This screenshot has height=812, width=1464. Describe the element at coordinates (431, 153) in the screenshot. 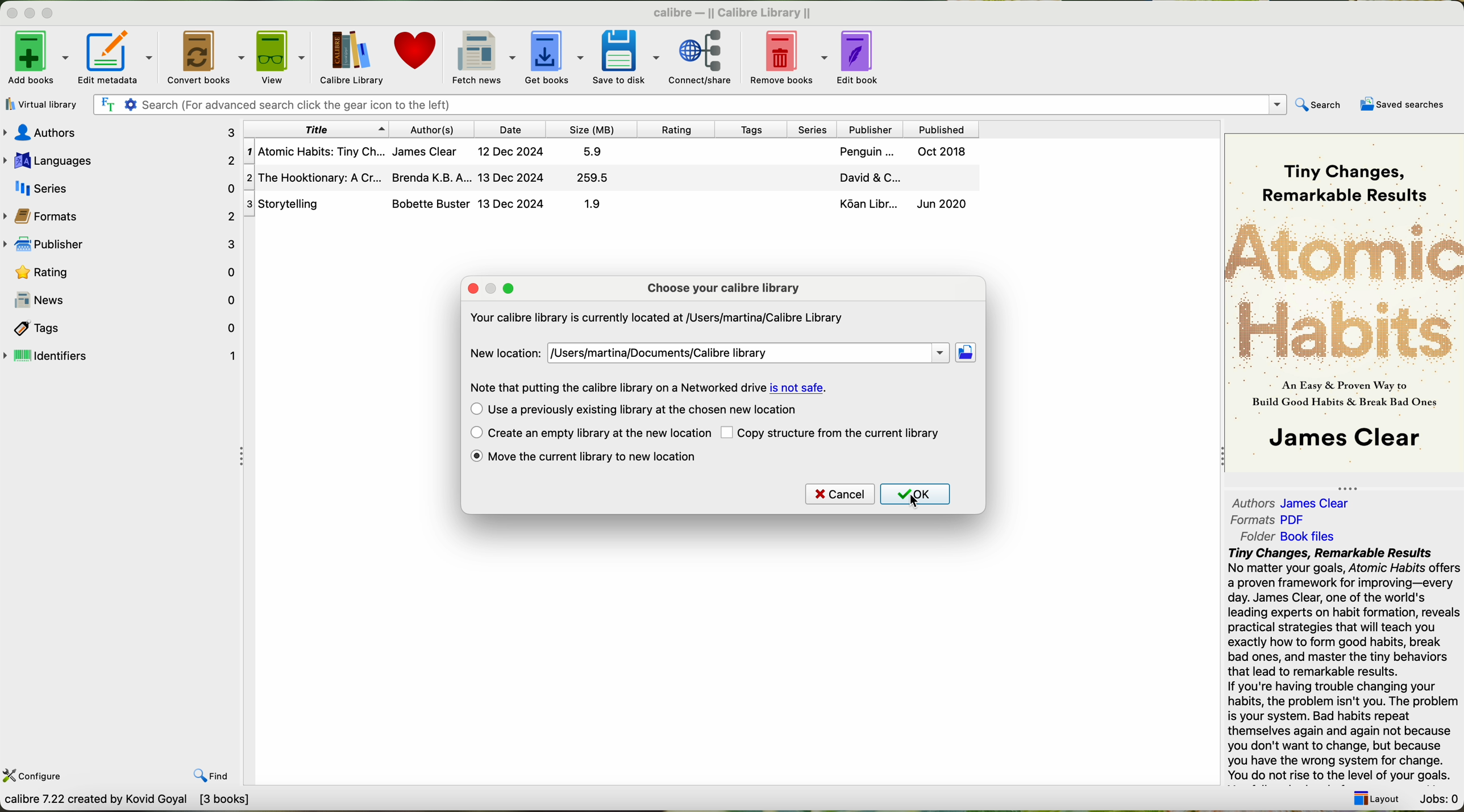

I see `1| Atomic Habits: Tiny Ch... James Clear 12 Dec 2024 5.9` at that location.